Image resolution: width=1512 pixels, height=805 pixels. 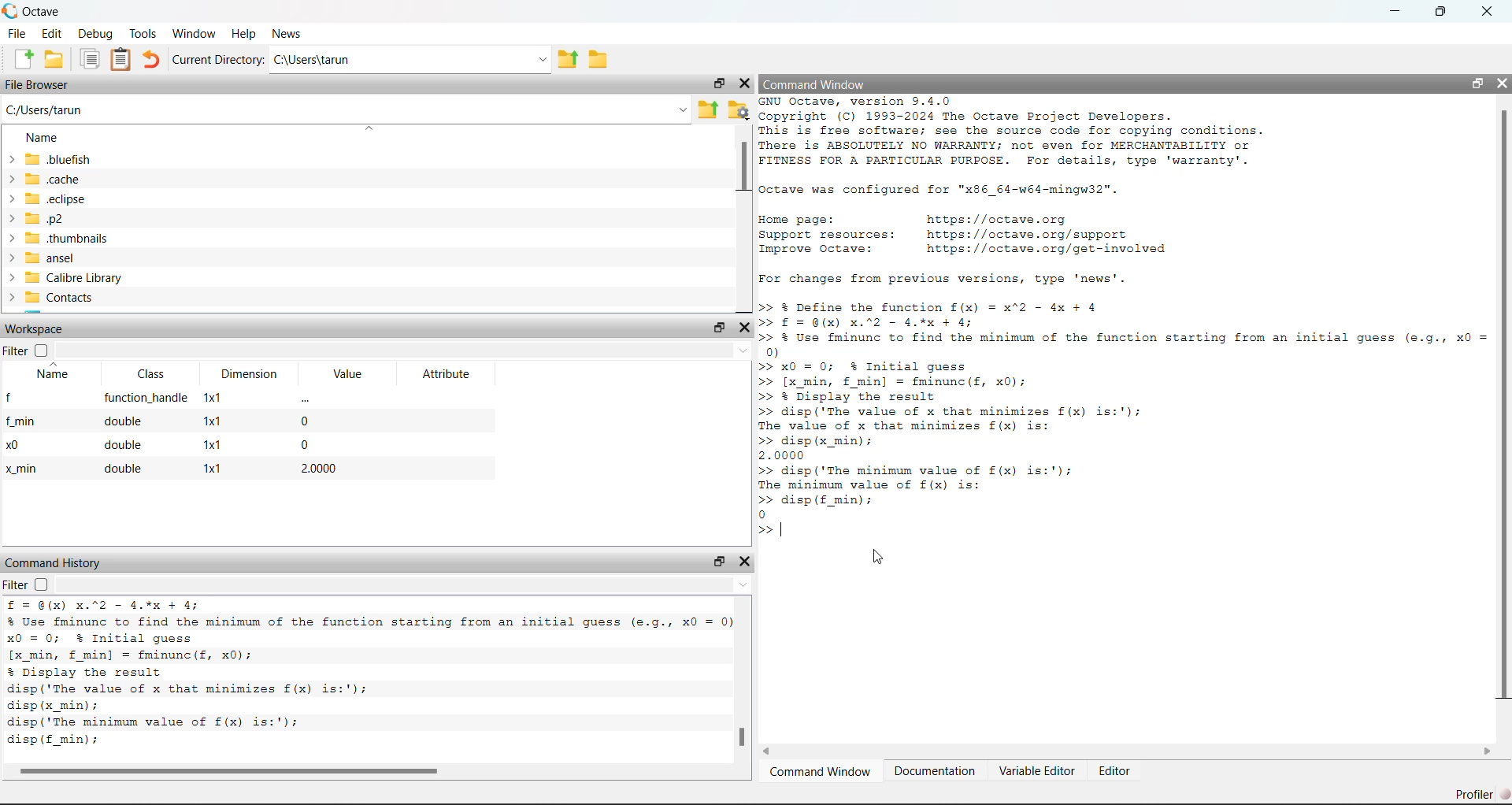 What do you see at coordinates (770, 752) in the screenshot?
I see `Left` at bounding box center [770, 752].